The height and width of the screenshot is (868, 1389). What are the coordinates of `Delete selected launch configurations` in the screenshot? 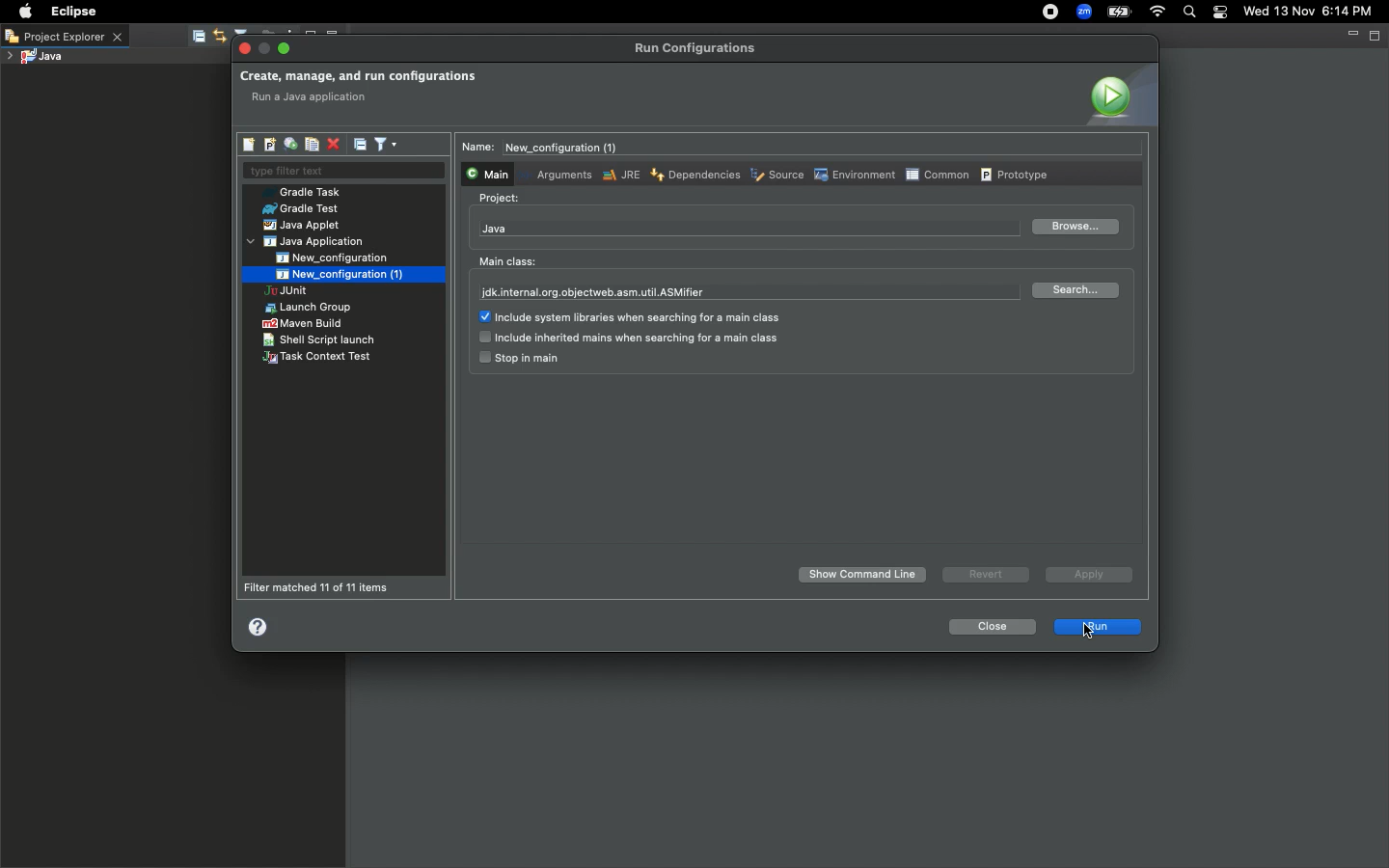 It's located at (333, 146).